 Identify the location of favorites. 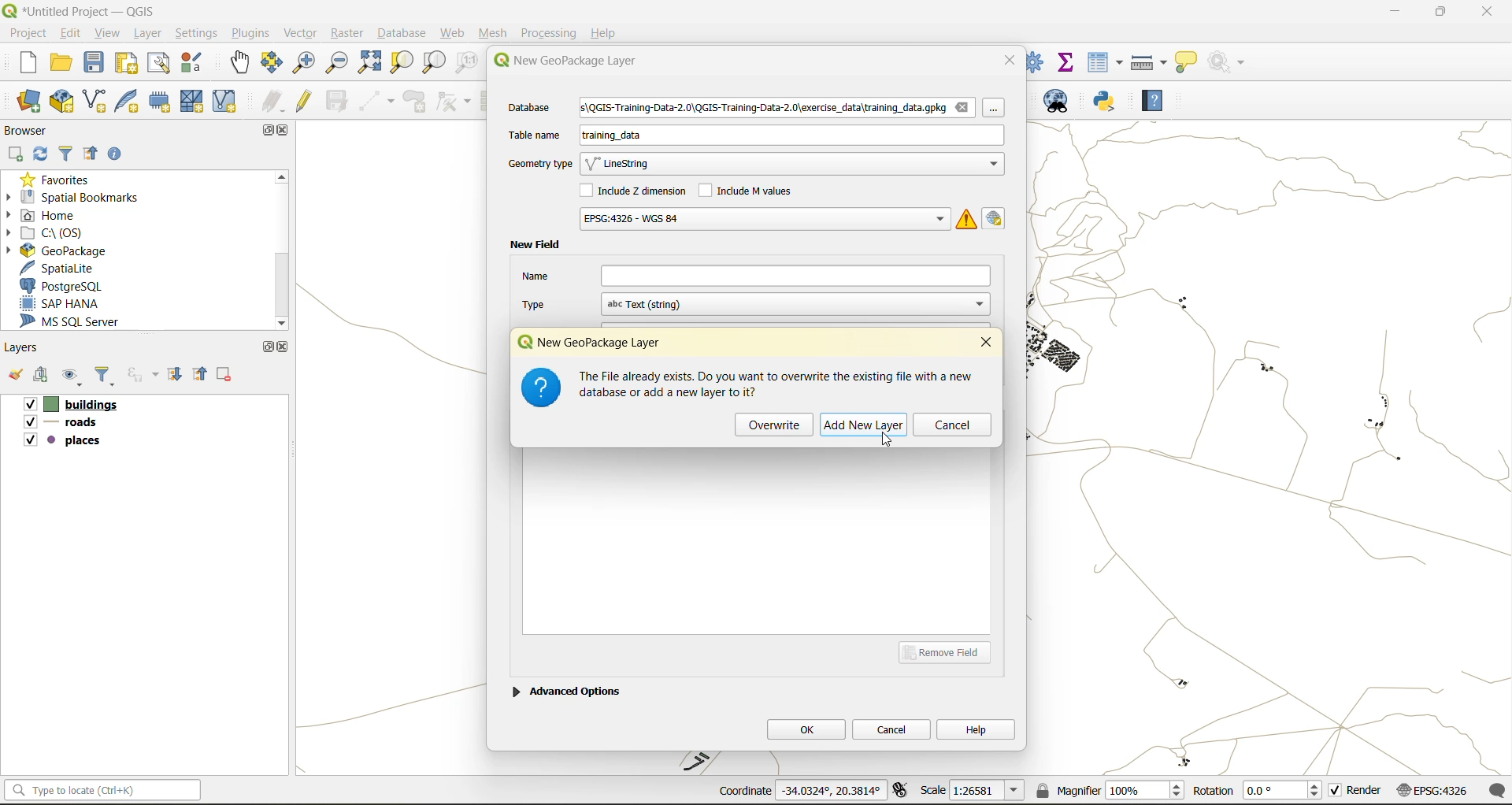
(59, 178).